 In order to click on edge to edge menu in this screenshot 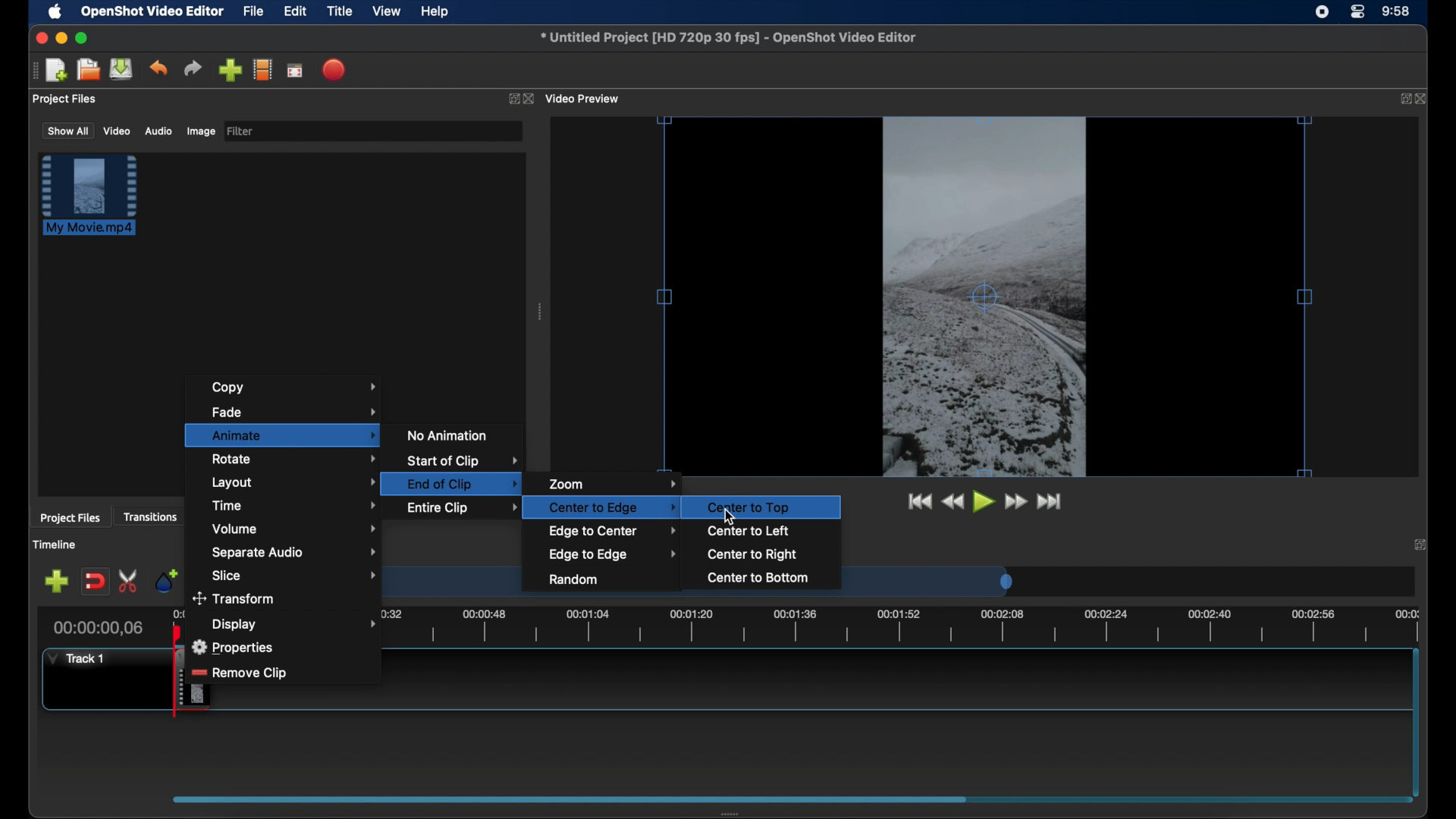, I will do `click(613, 555)`.